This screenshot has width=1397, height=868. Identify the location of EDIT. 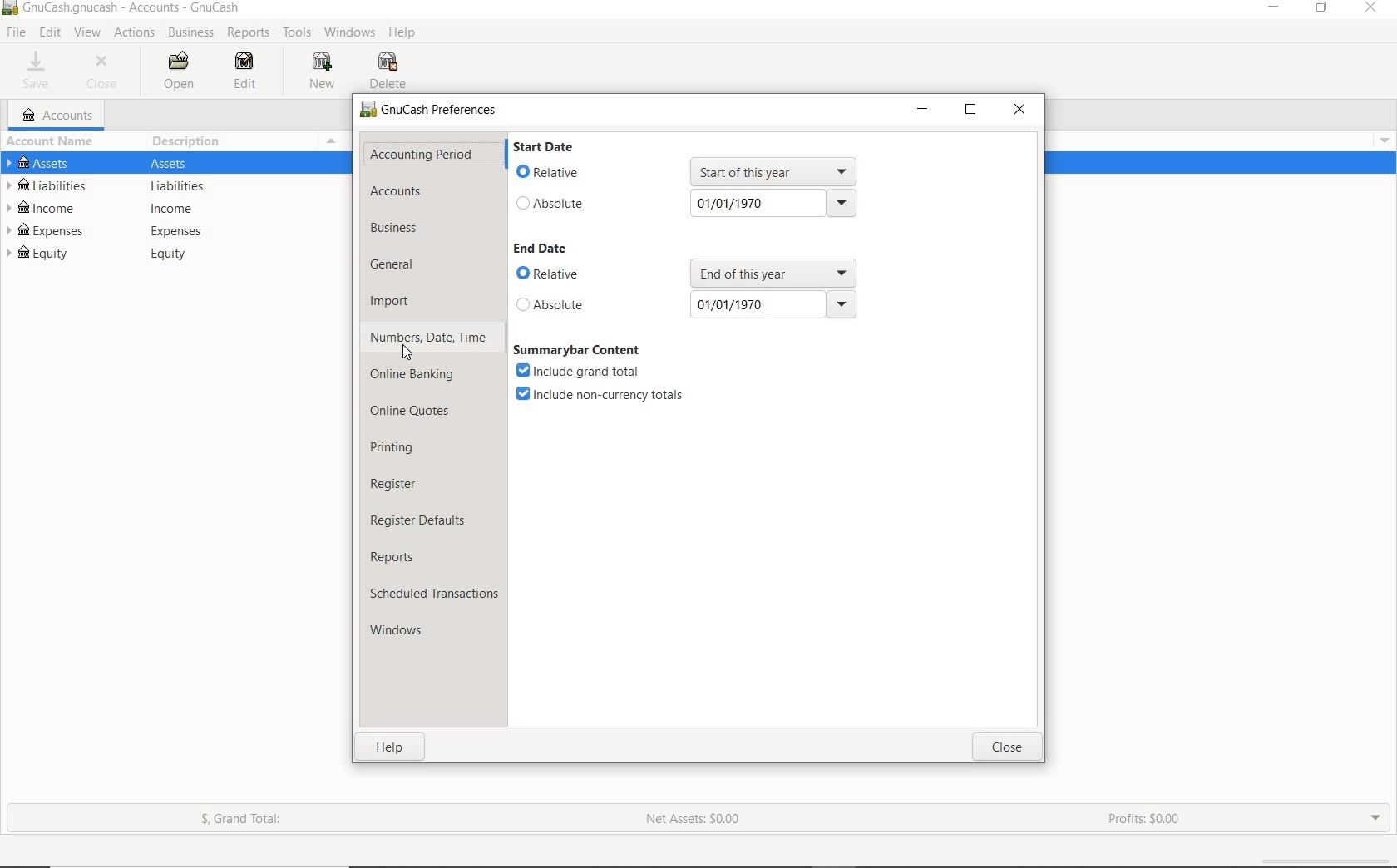
(247, 72).